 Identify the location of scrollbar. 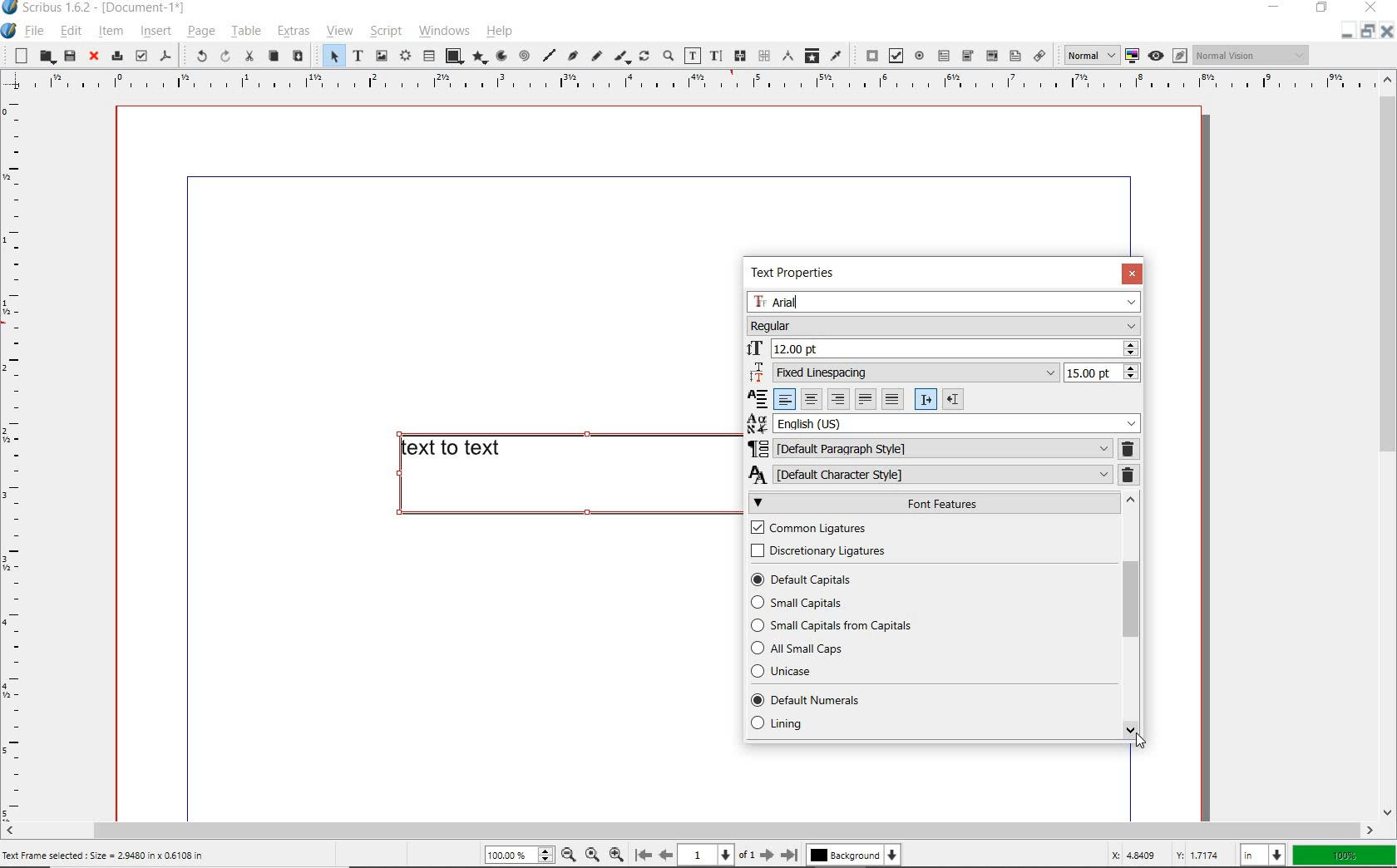
(1387, 445).